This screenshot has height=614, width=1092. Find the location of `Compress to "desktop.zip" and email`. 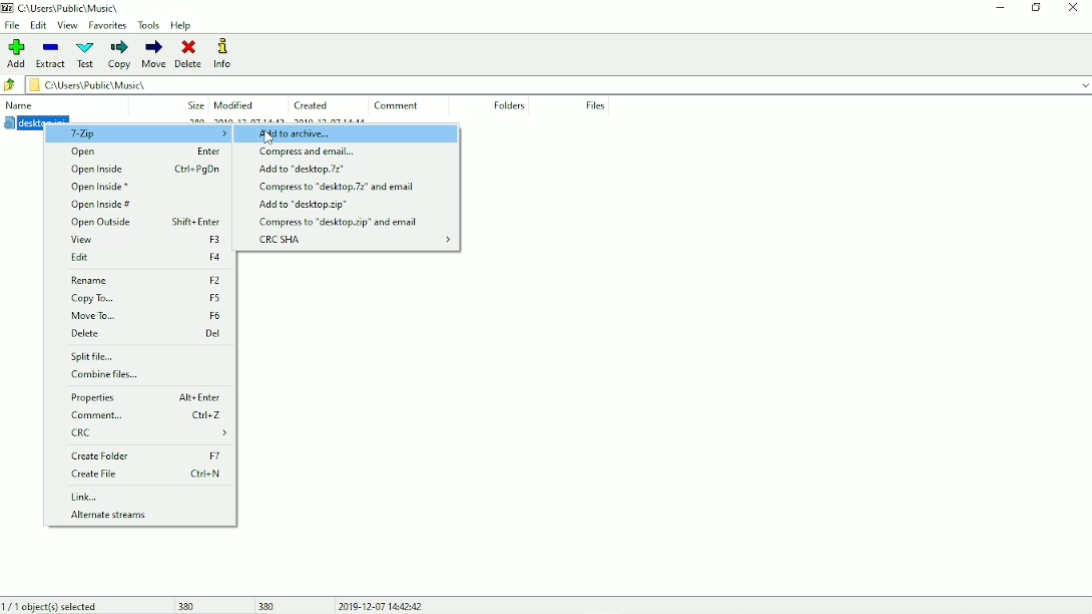

Compress to "desktop.zip" and email is located at coordinates (340, 222).